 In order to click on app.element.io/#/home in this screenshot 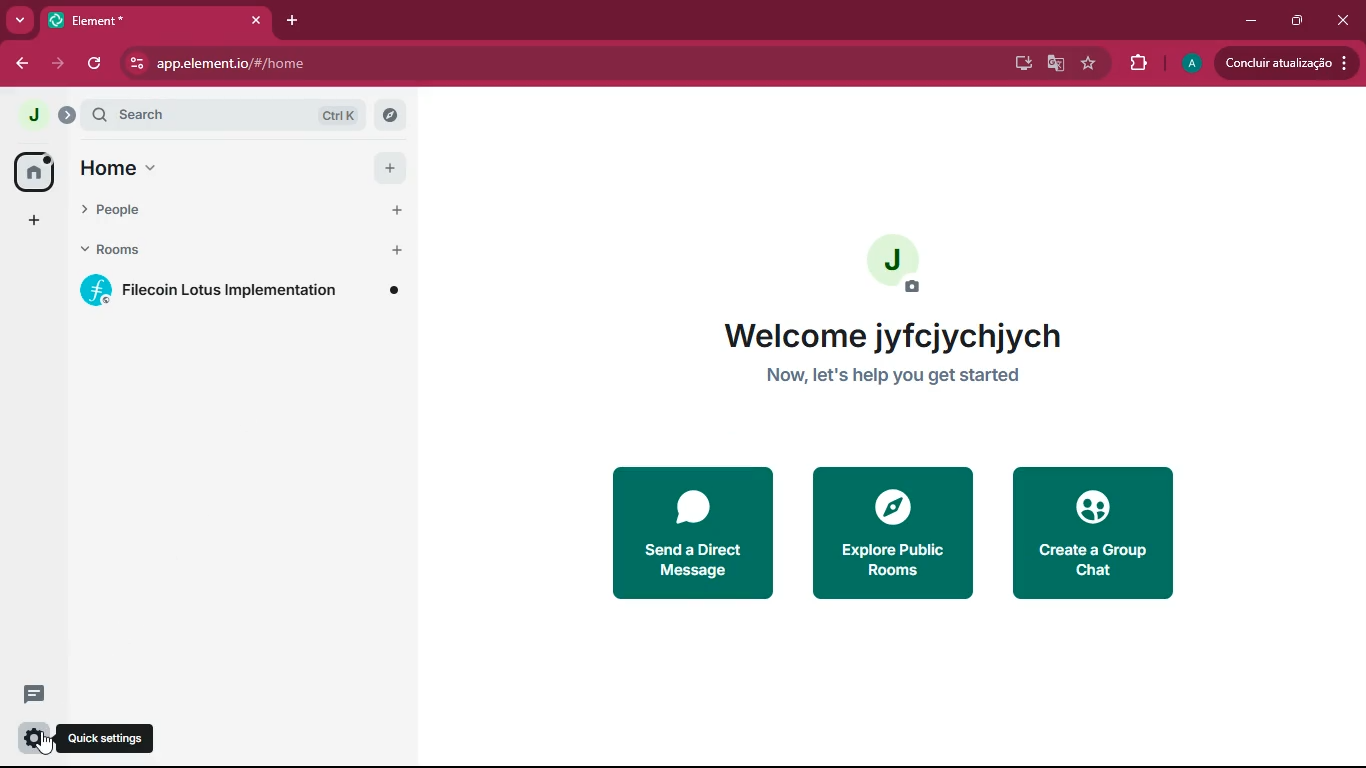, I will do `click(323, 63)`.